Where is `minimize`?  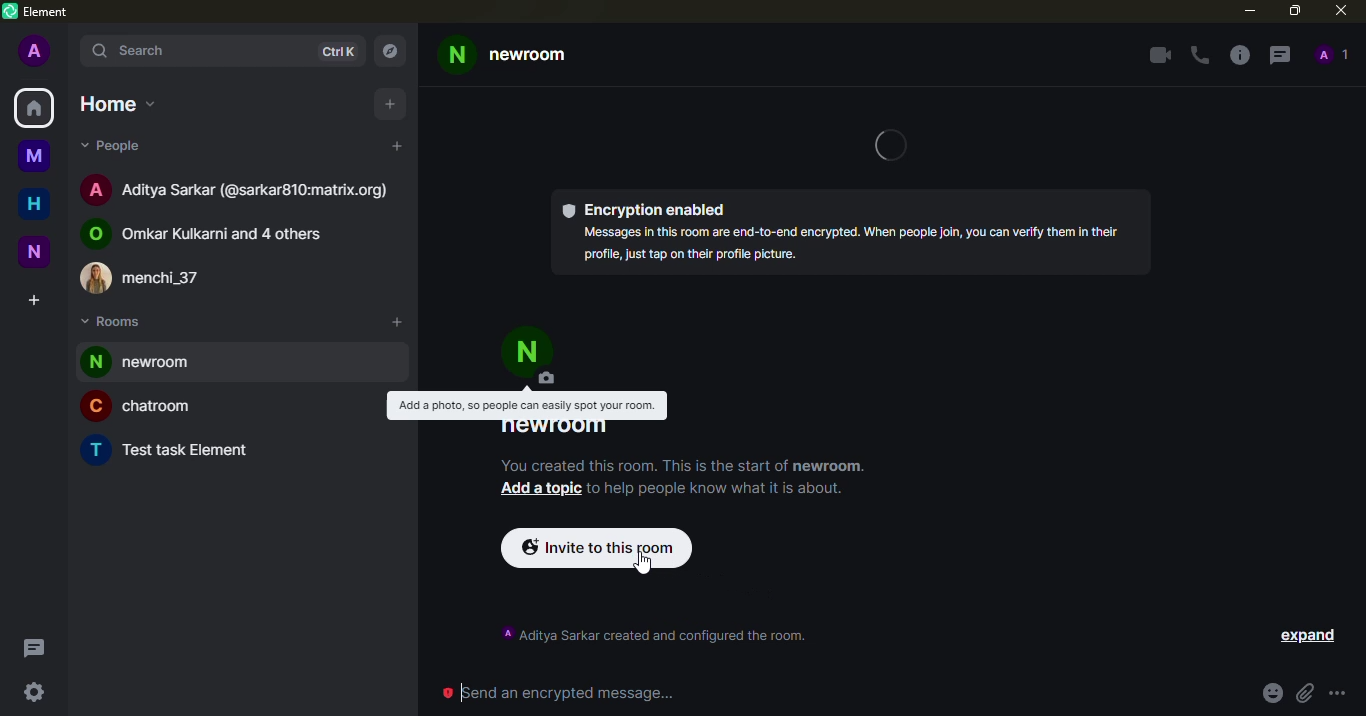
minimize is located at coordinates (1246, 12).